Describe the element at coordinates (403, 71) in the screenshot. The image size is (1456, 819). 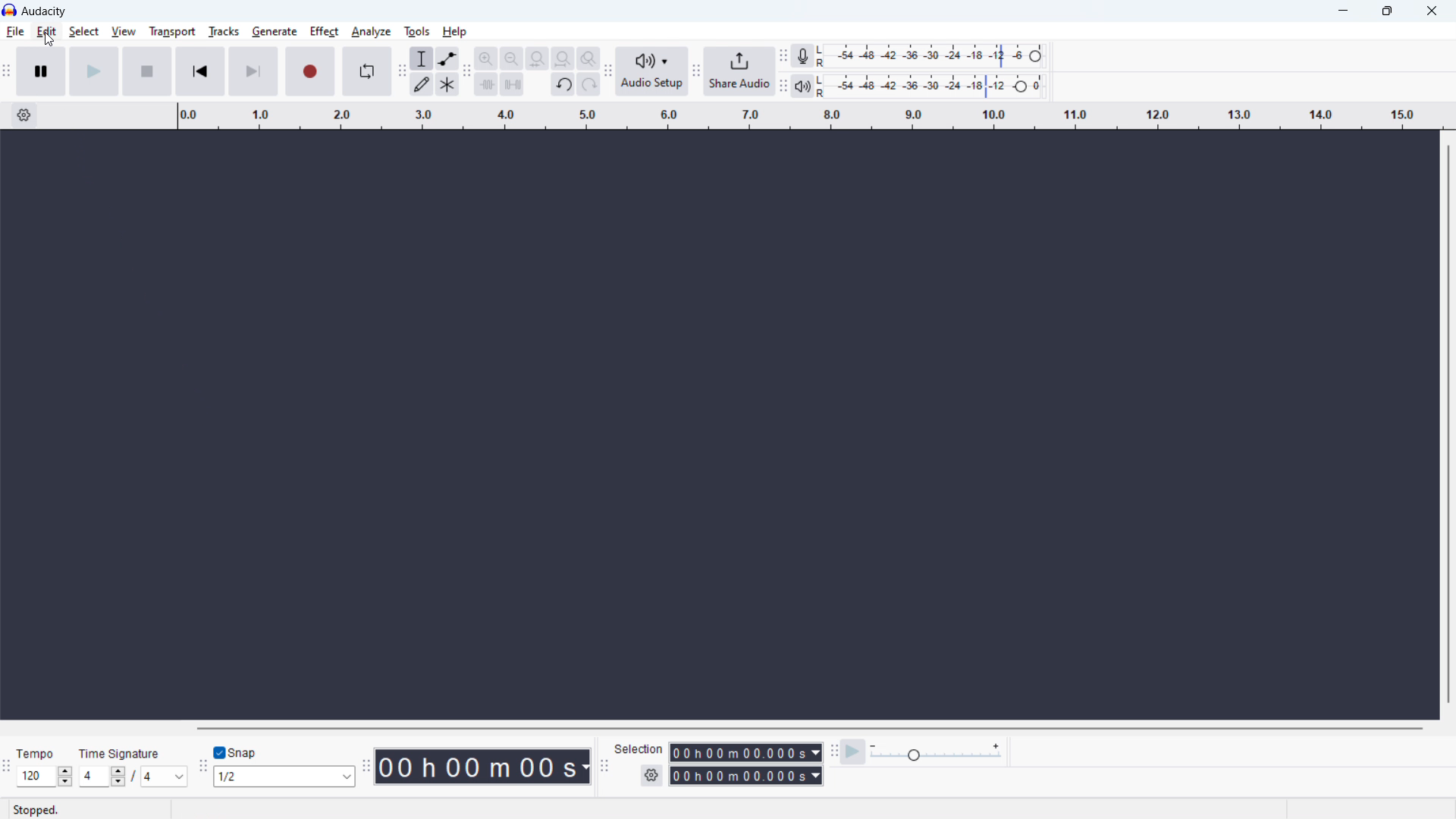
I see `Enables movement of tools toolbar` at that location.